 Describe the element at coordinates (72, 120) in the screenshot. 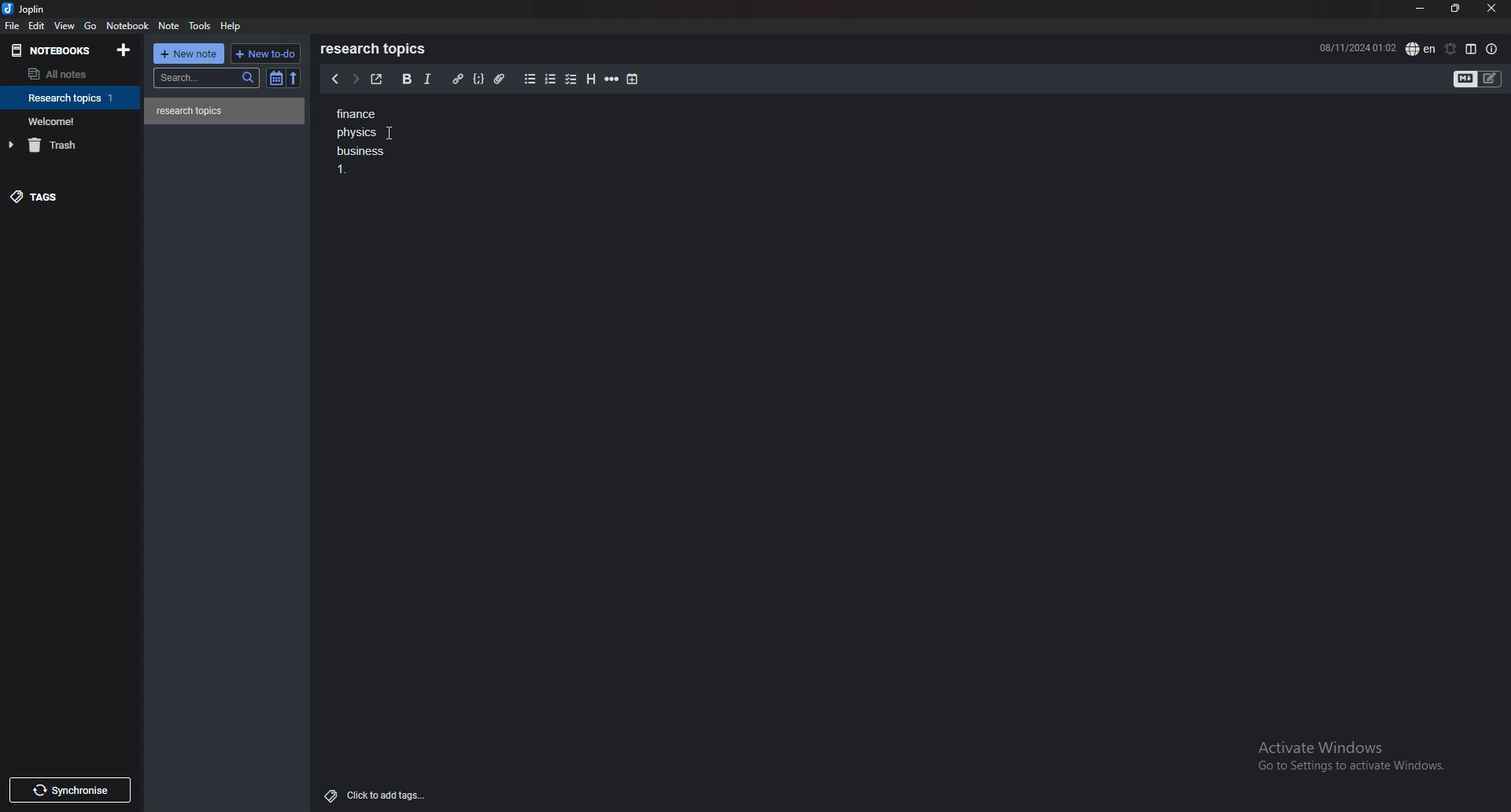

I see `notebook` at that location.